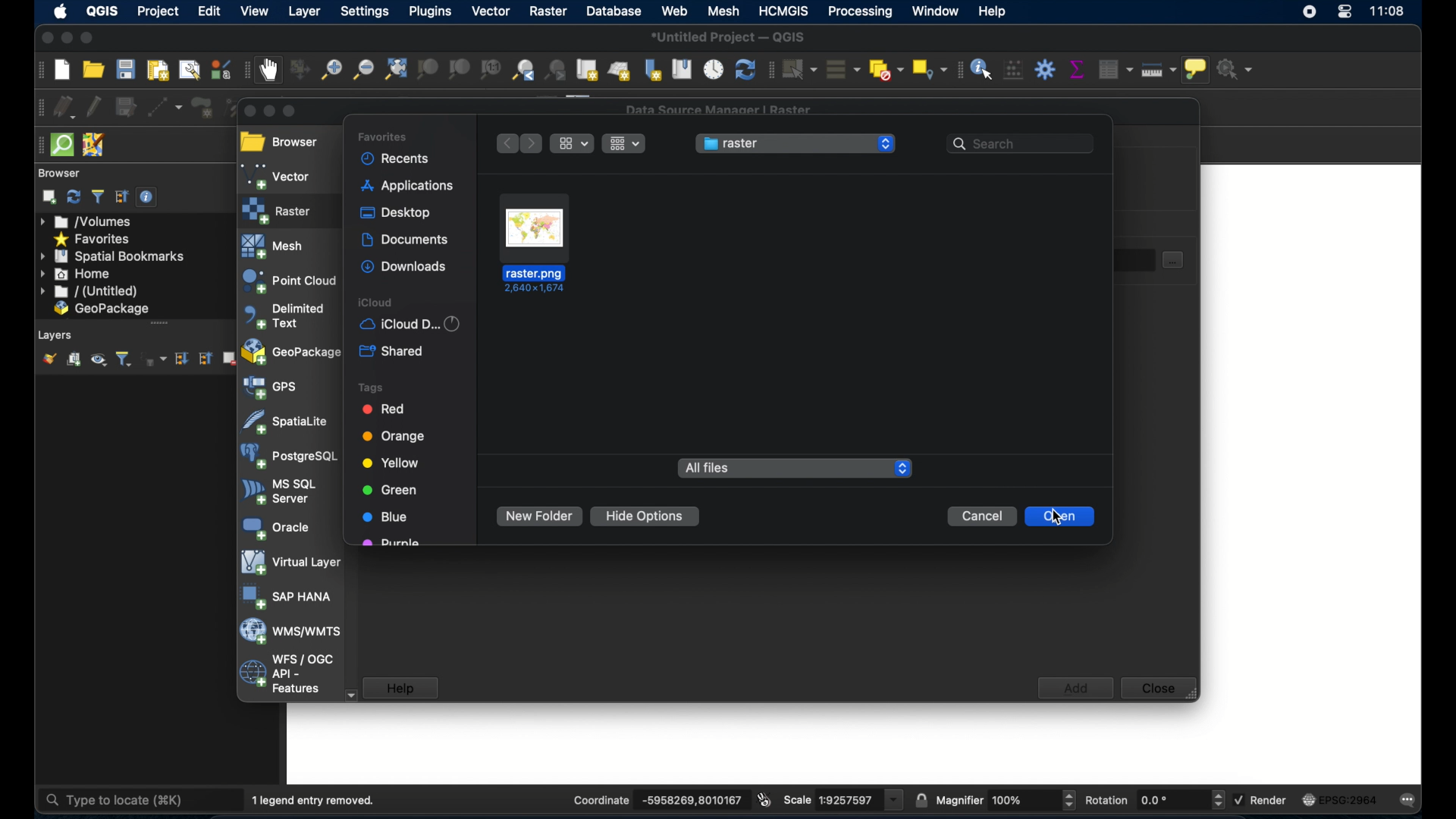 The image size is (1456, 819). Describe the element at coordinates (1107, 799) in the screenshot. I see `rotations` at that location.